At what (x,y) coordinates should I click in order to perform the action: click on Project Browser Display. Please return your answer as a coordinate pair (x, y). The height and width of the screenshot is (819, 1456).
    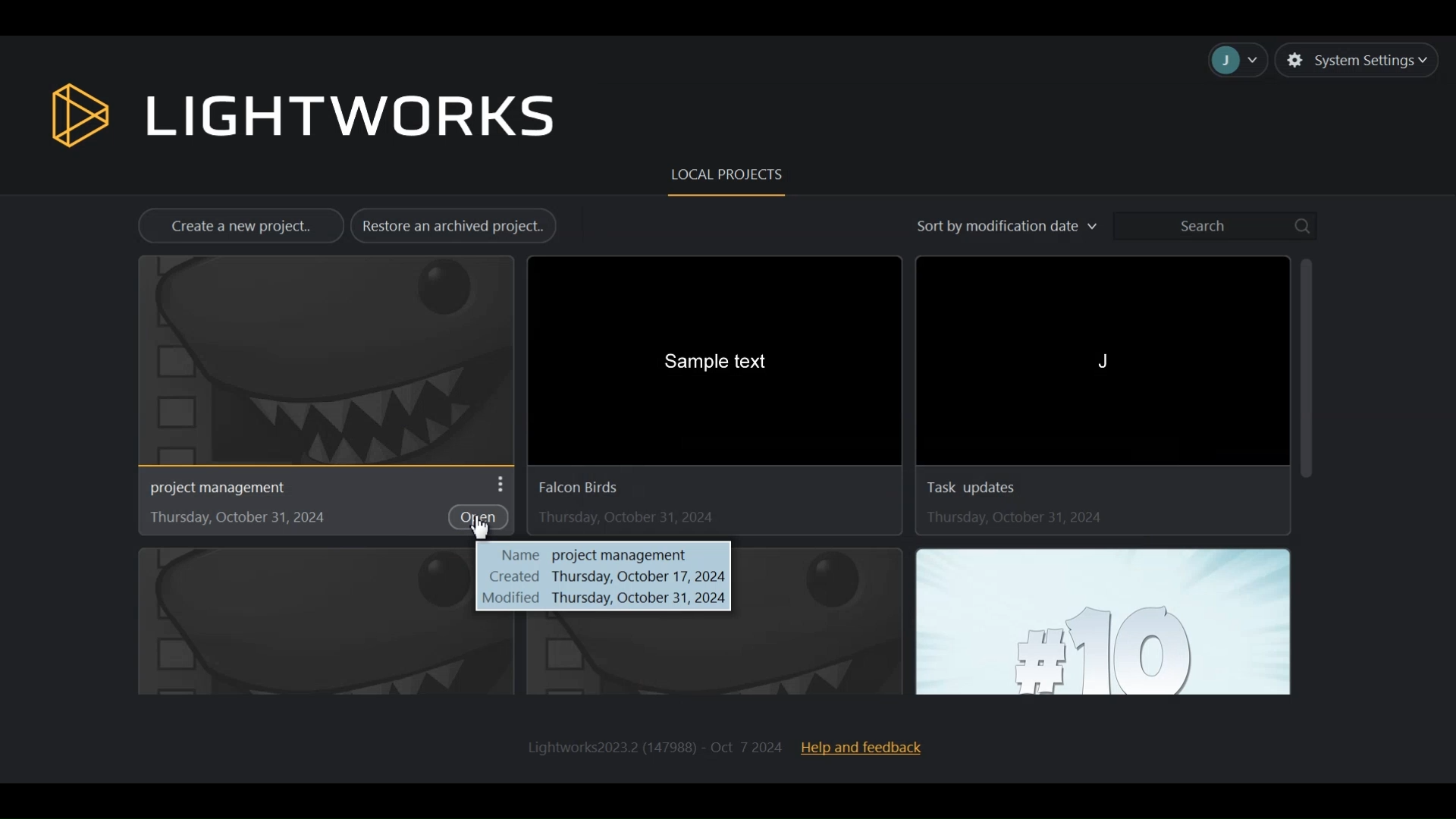
    Looking at the image, I should click on (330, 359).